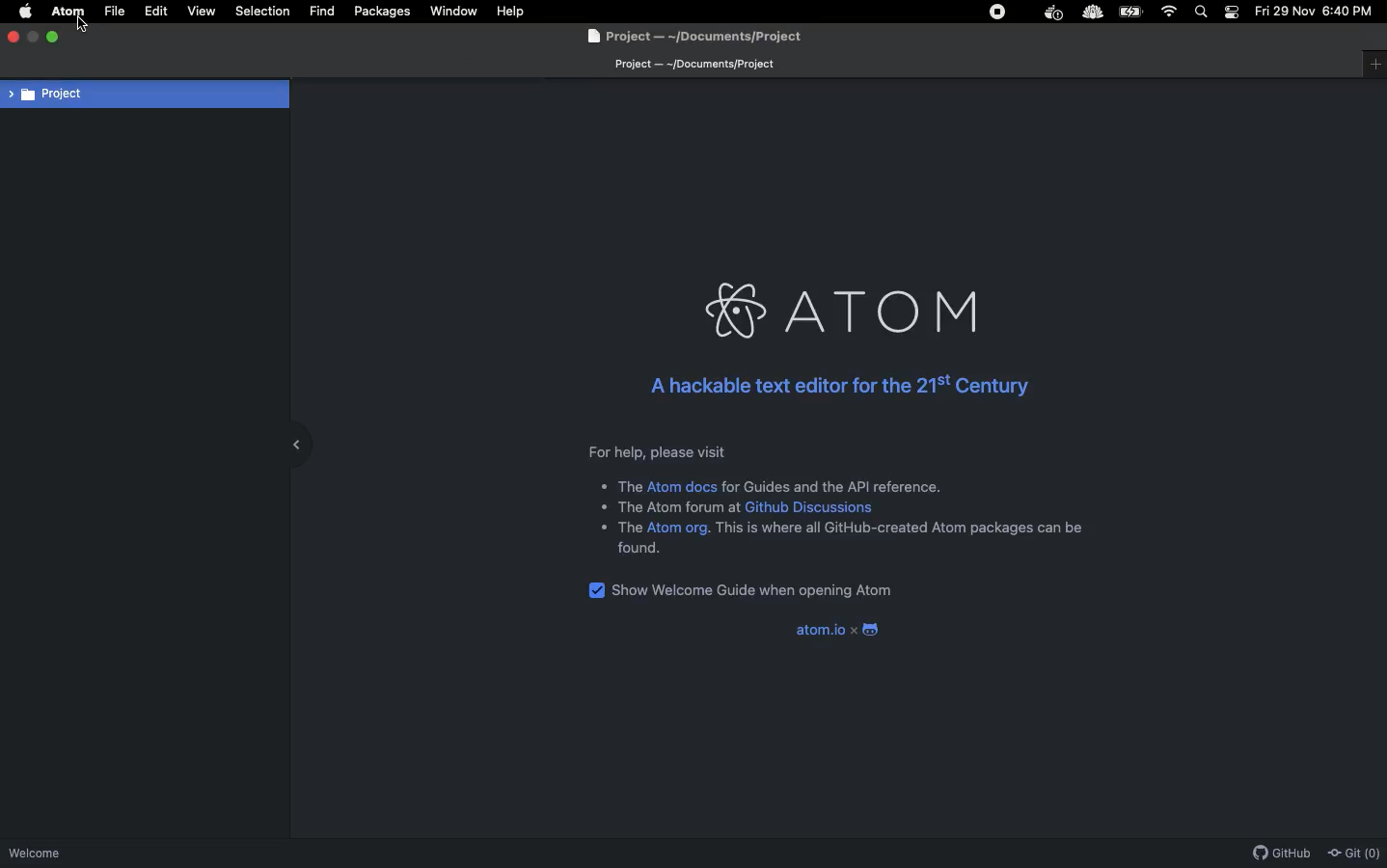 The width and height of the screenshot is (1387, 868). Describe the element at coordinates (265, 12) in the screenshot. I see `Selection` at that location.